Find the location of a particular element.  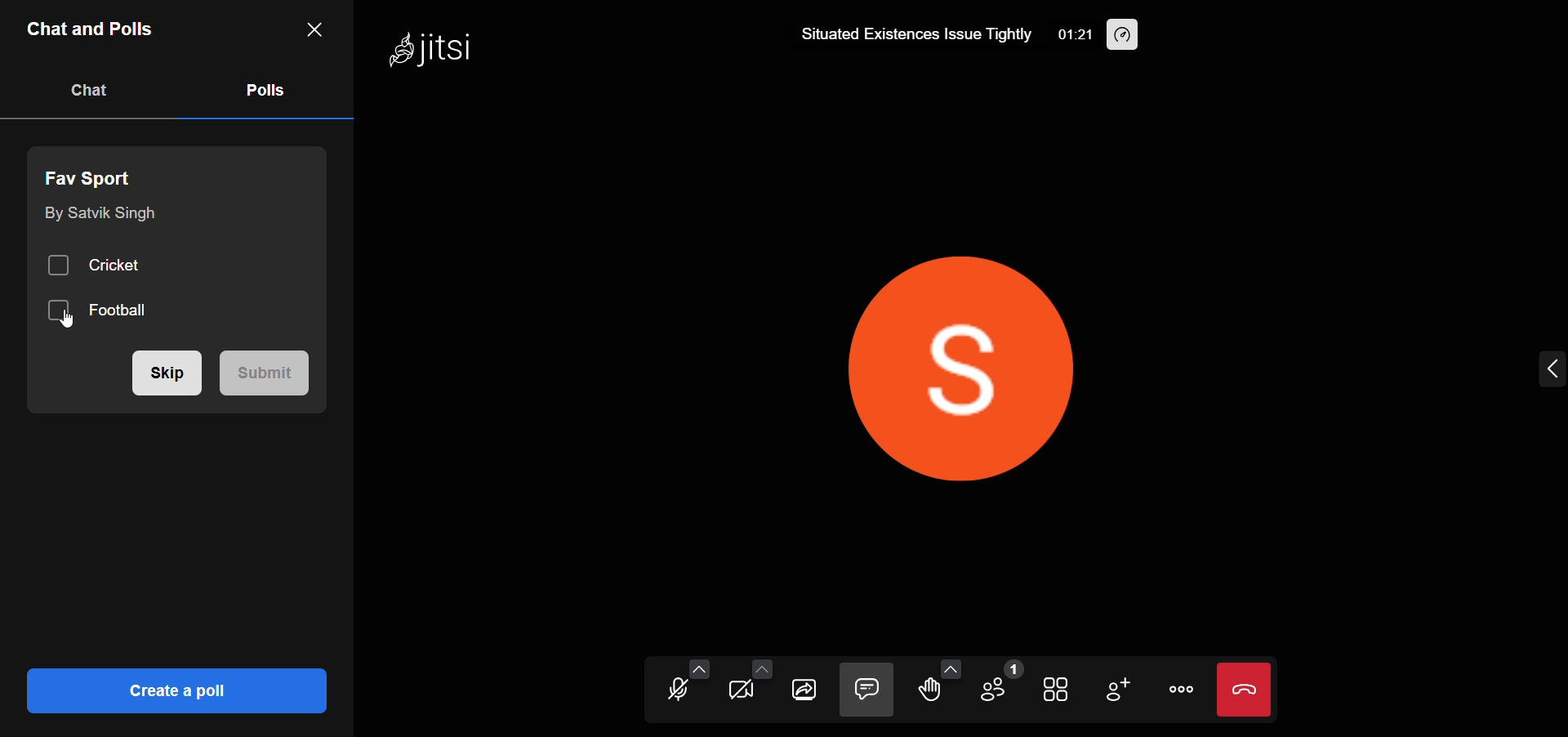

fav sport is located at coordinates (96, 176).